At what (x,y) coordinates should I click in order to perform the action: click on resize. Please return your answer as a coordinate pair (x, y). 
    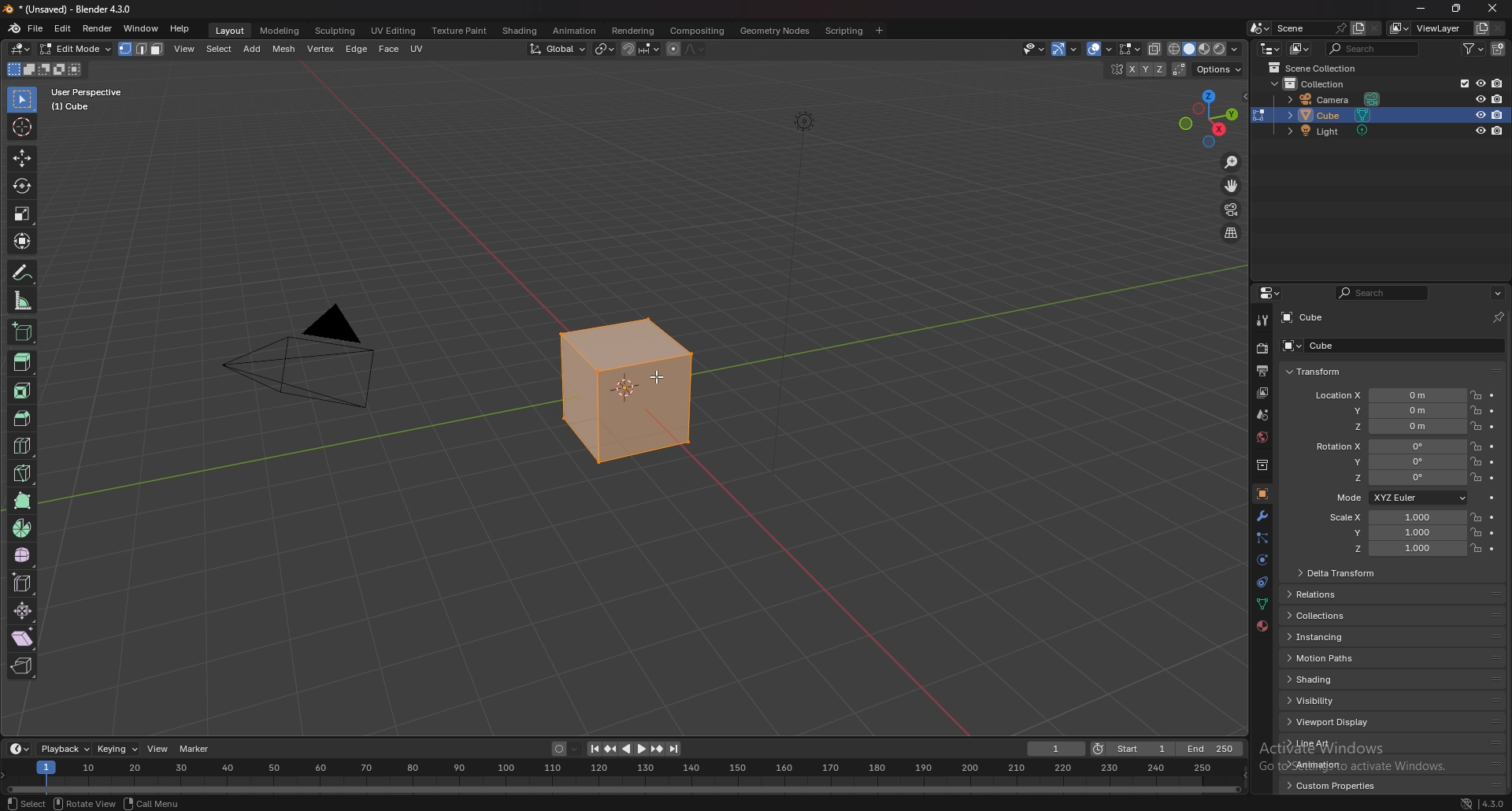
    Looking at the image, I should click on (1457, 9).